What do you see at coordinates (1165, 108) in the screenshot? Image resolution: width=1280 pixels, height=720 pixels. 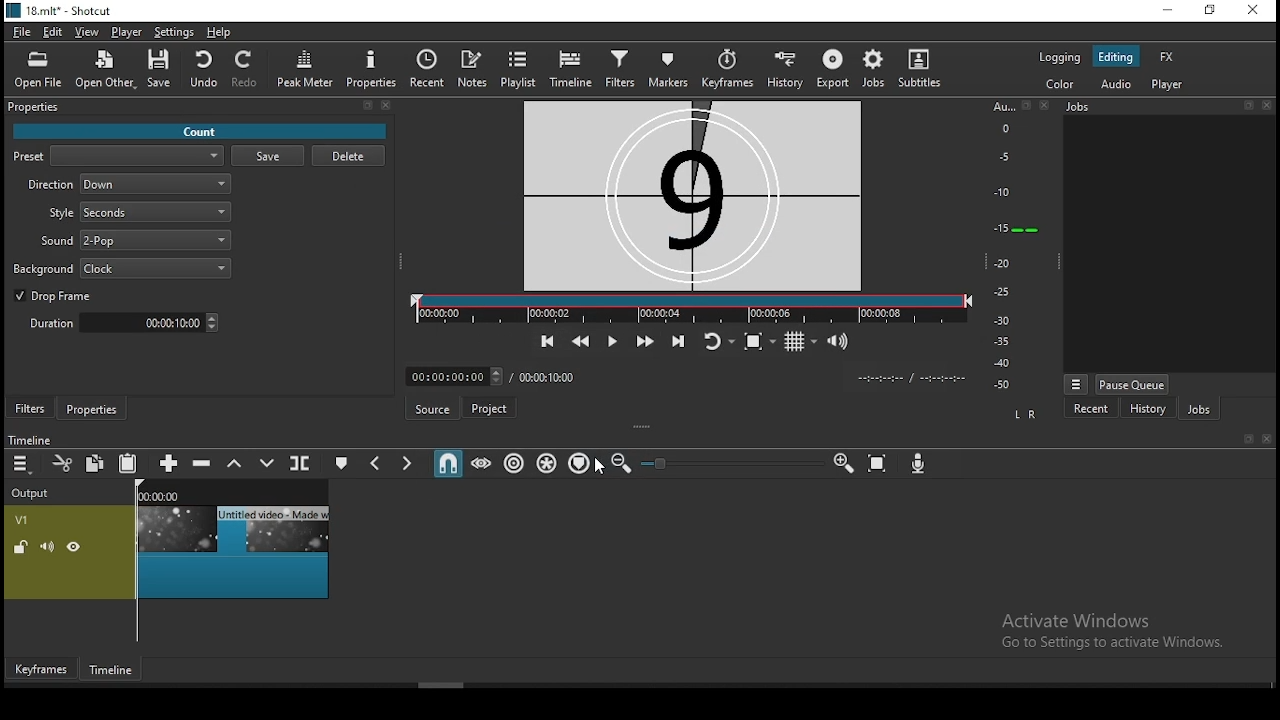 I see `Jobs` at bounding box center [1165, 108].